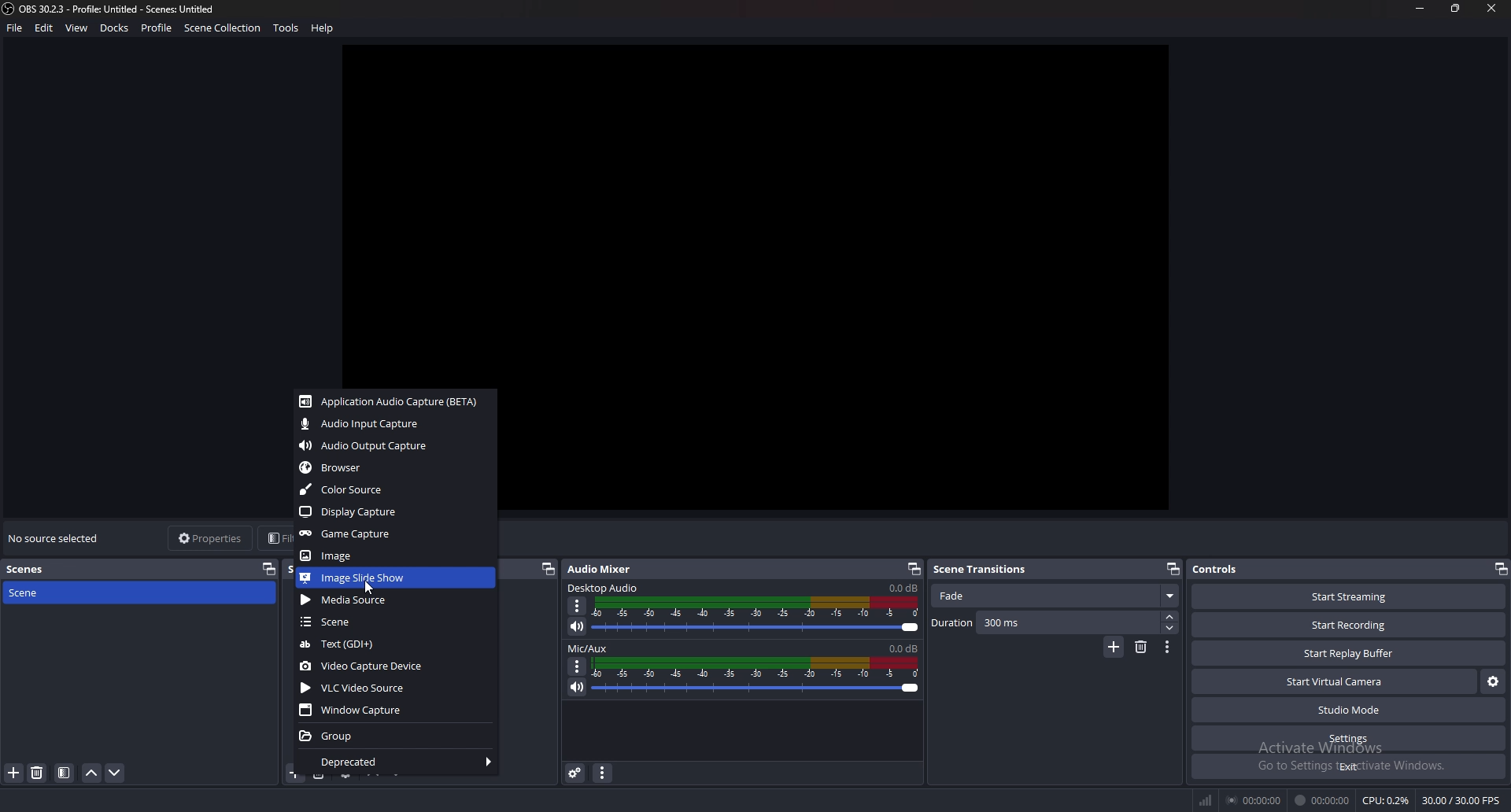 The image size is (1511, 812). Describe the element at coordinates (1171, 569) in the screenshot. I see `popout` at that location.